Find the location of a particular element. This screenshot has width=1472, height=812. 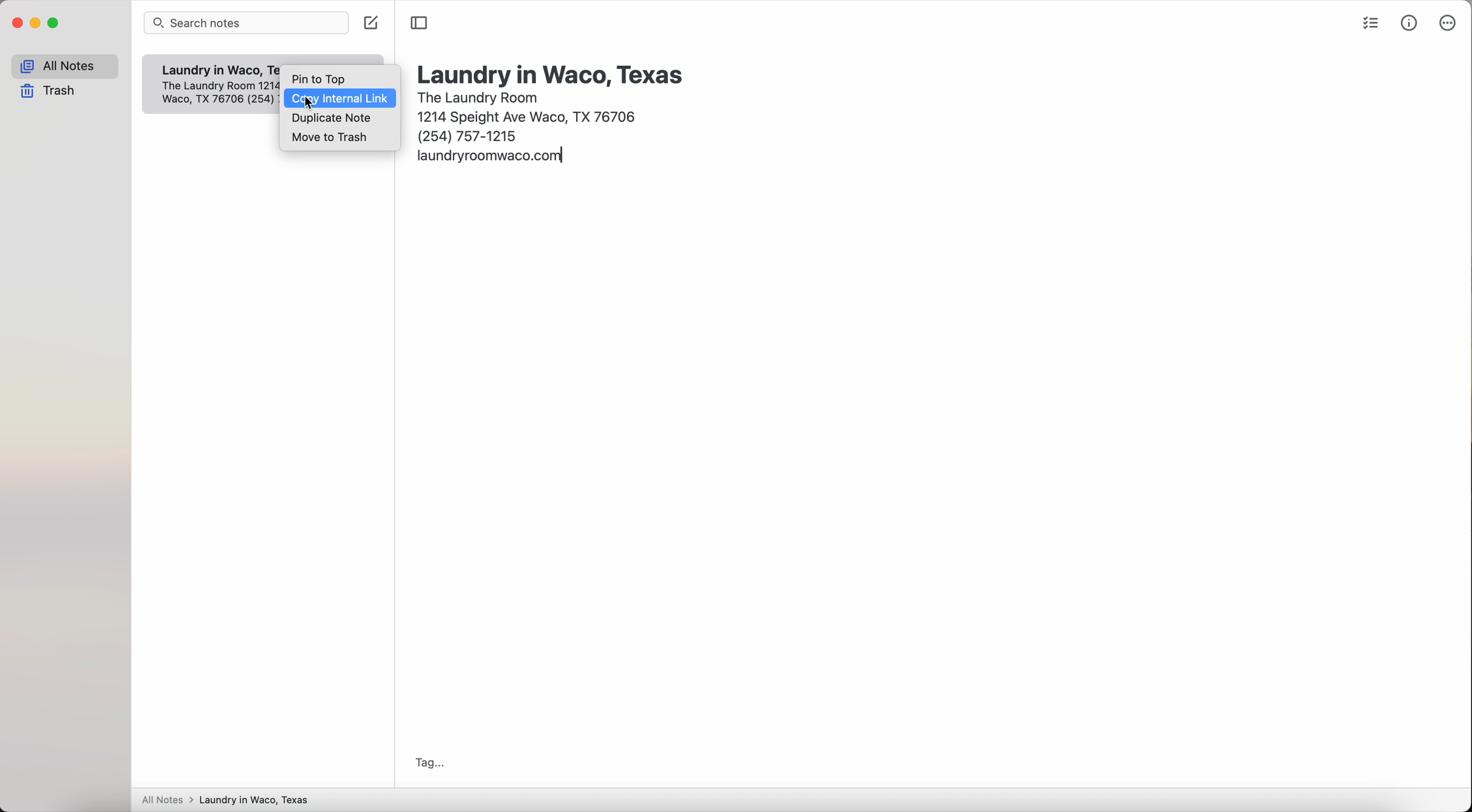

search bar is located at coordinates (249, 24).